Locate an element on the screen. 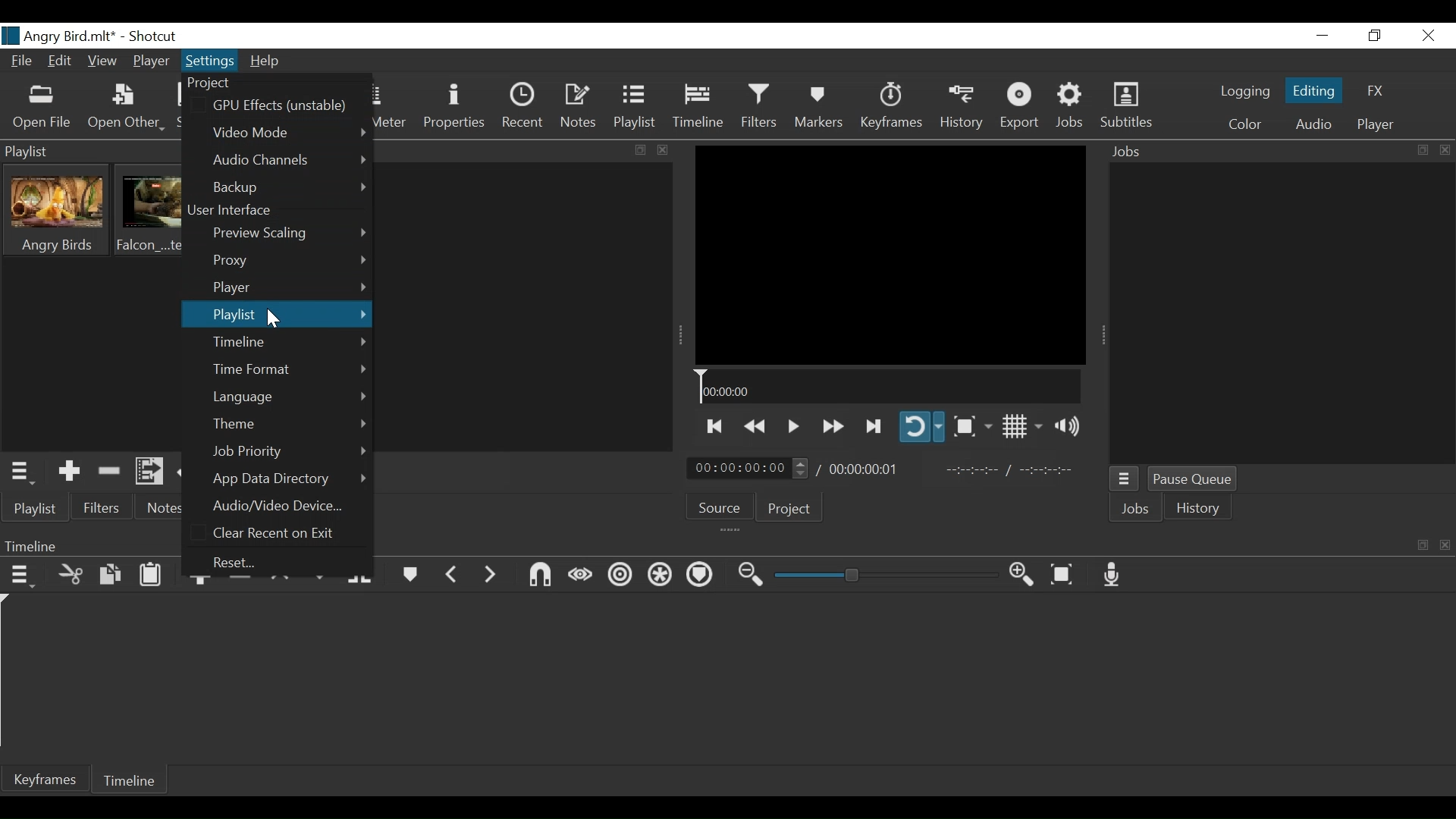 The width and height of the screenshot is (1456, 819). Peak Meter is located at coordinates (388, 108).